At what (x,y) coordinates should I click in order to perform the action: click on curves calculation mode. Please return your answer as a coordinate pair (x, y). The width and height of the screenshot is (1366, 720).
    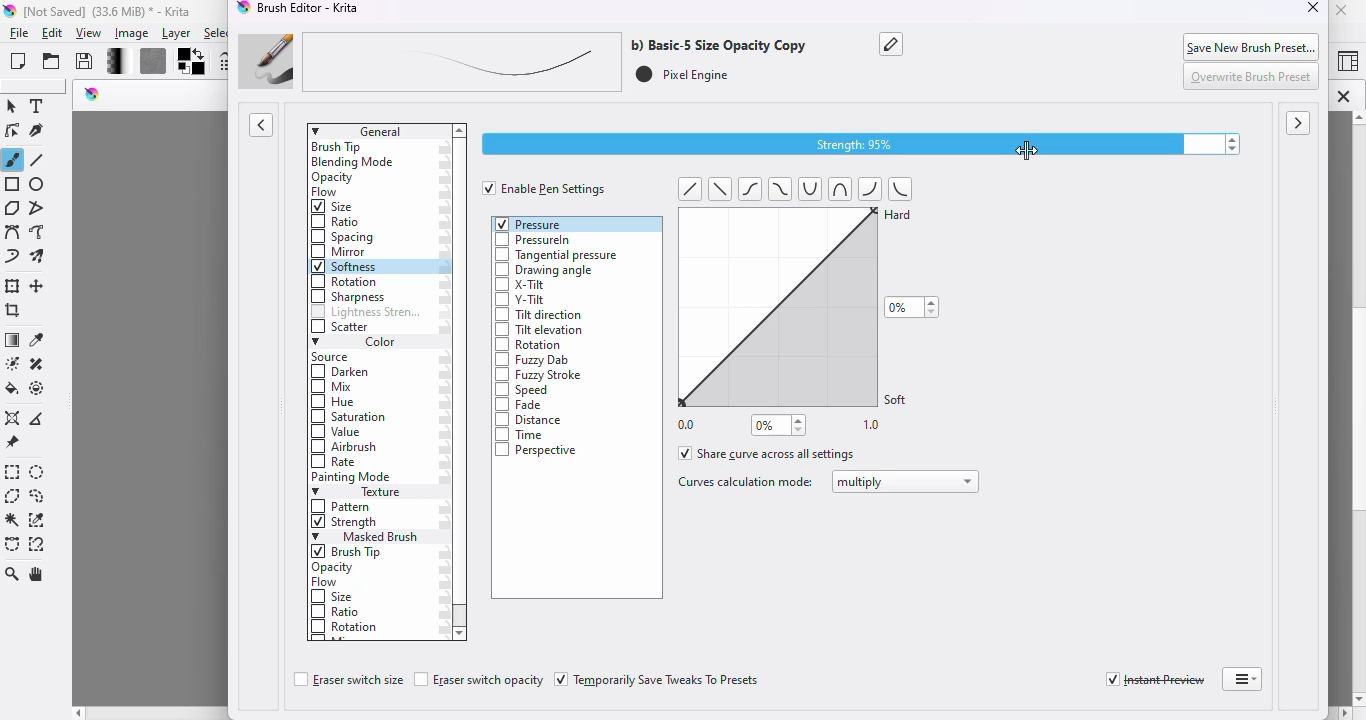
    Looking at the image, I should click on (744, 482).